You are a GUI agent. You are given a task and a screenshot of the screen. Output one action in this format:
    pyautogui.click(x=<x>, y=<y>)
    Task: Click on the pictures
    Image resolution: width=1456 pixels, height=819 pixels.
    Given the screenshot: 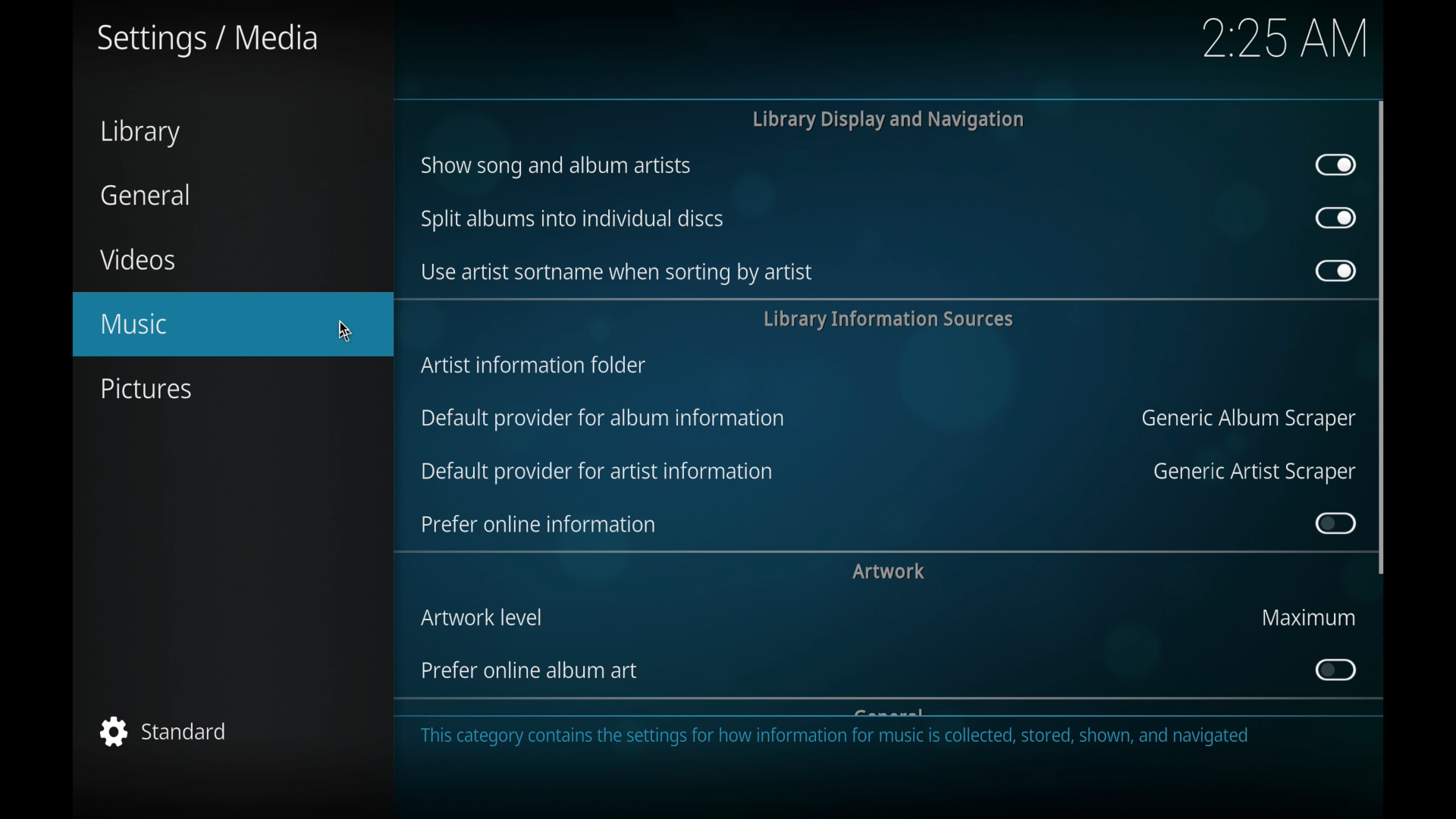 What is the action you would take?
    pyautogui.click(x=149, y=389)
    